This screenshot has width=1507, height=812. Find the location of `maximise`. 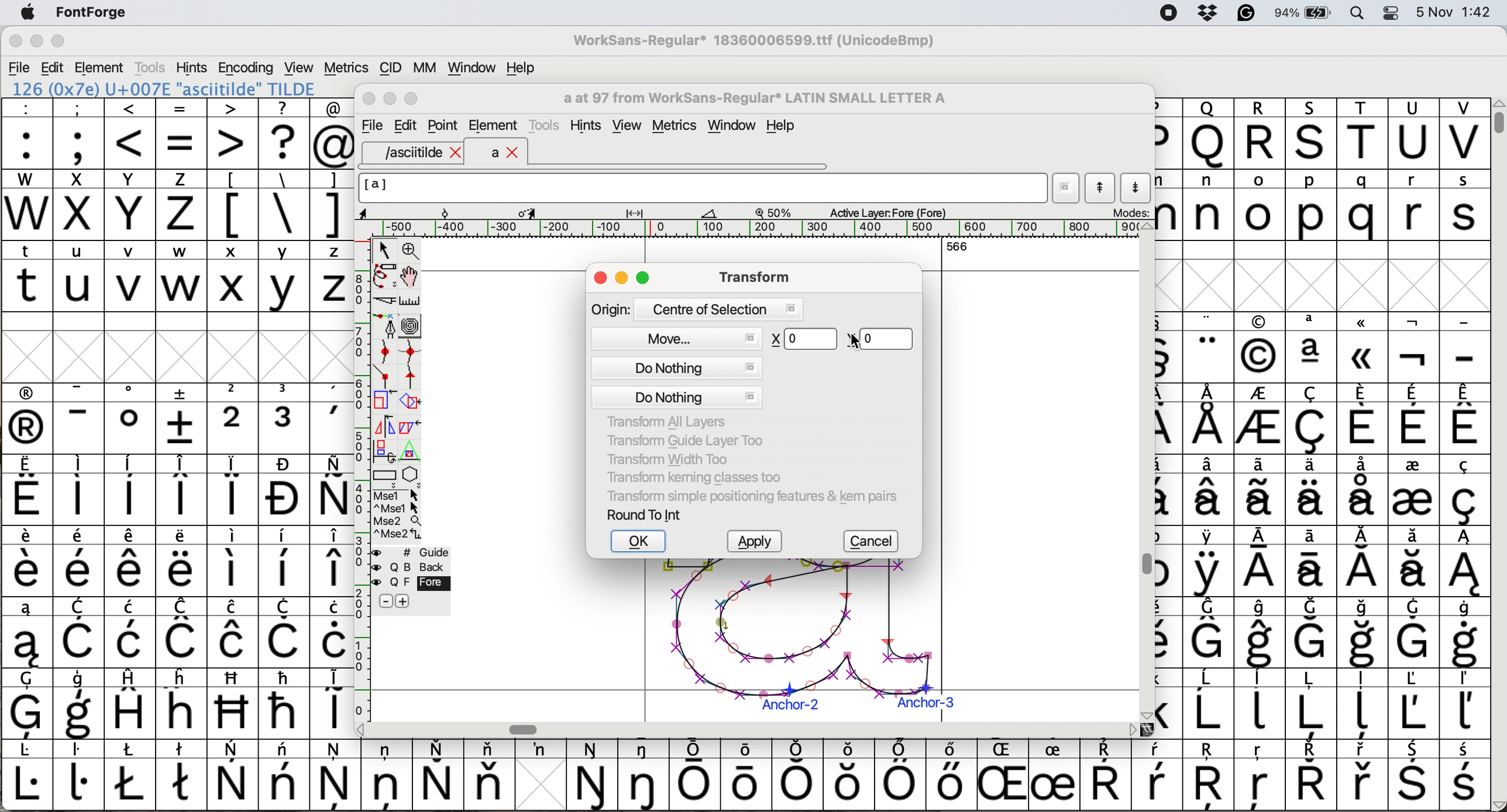

maximise is located at coordinates (59, 44).